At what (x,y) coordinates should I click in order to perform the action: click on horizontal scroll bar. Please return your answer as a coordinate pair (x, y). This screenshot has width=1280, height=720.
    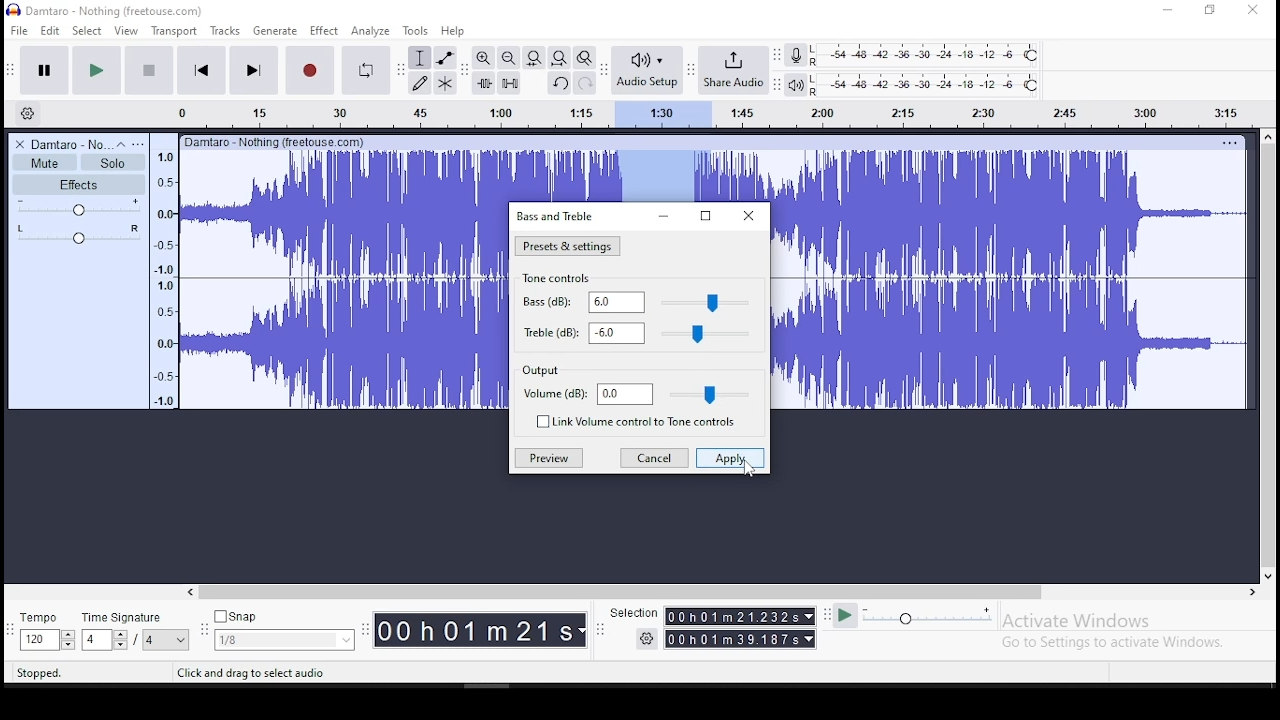
    Looking at the image, I should click on (720, 592).